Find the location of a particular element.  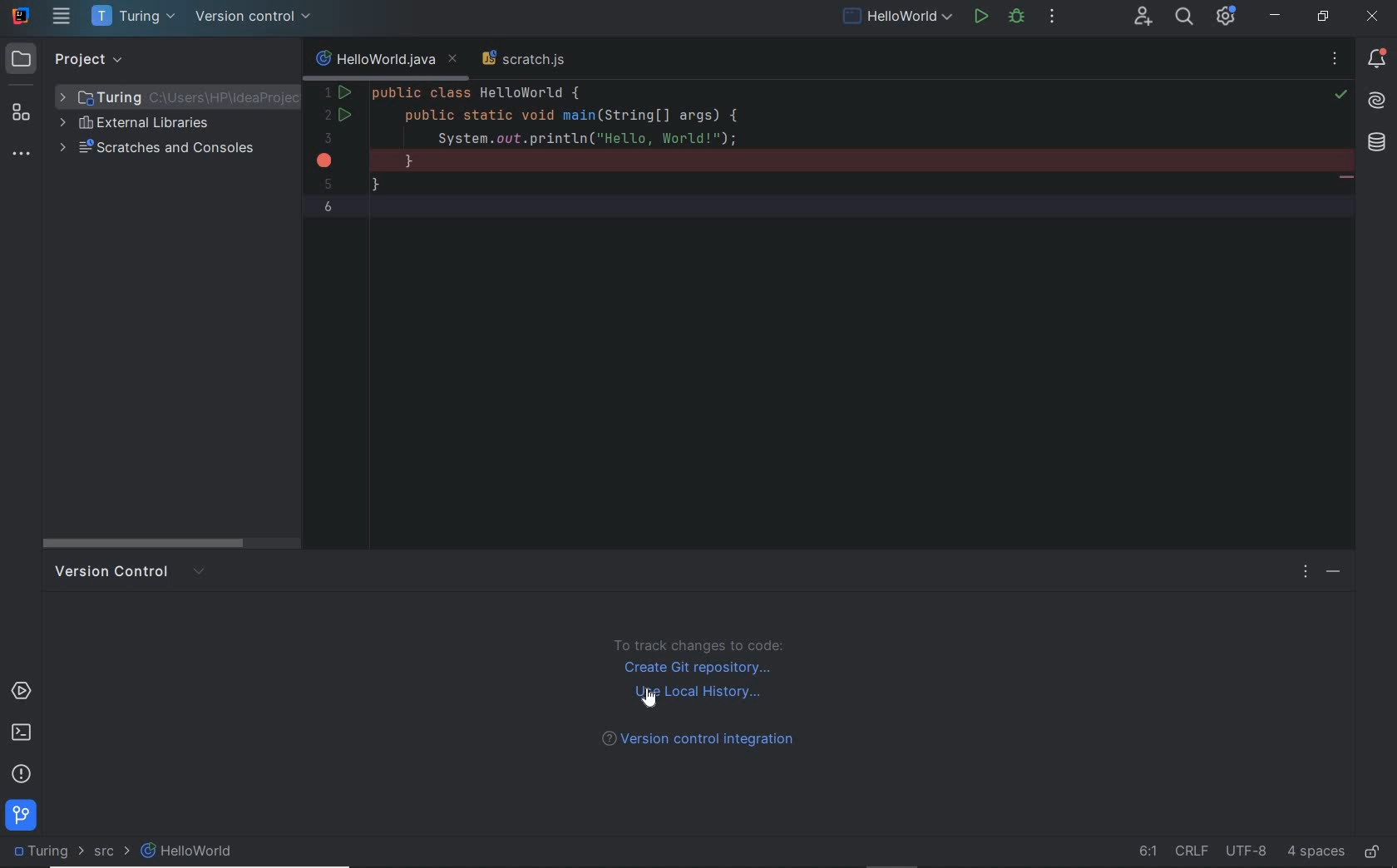

SRC is located at coordinates (114, 851).